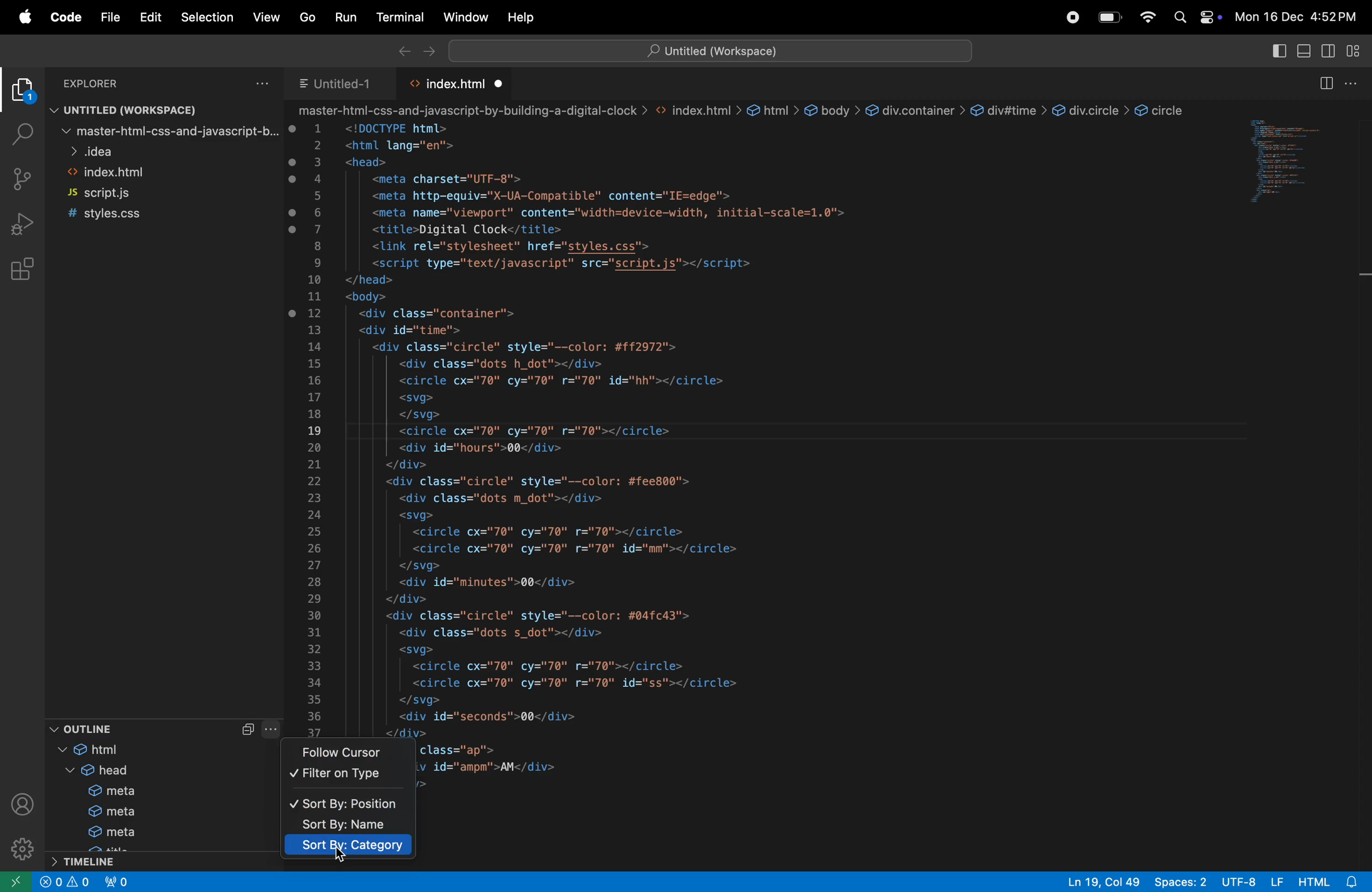 The width and height of the screenshot is (1372, 892). Describe the element at coordinates (395, 17) in the screenshot. I see `terminal` at that location.